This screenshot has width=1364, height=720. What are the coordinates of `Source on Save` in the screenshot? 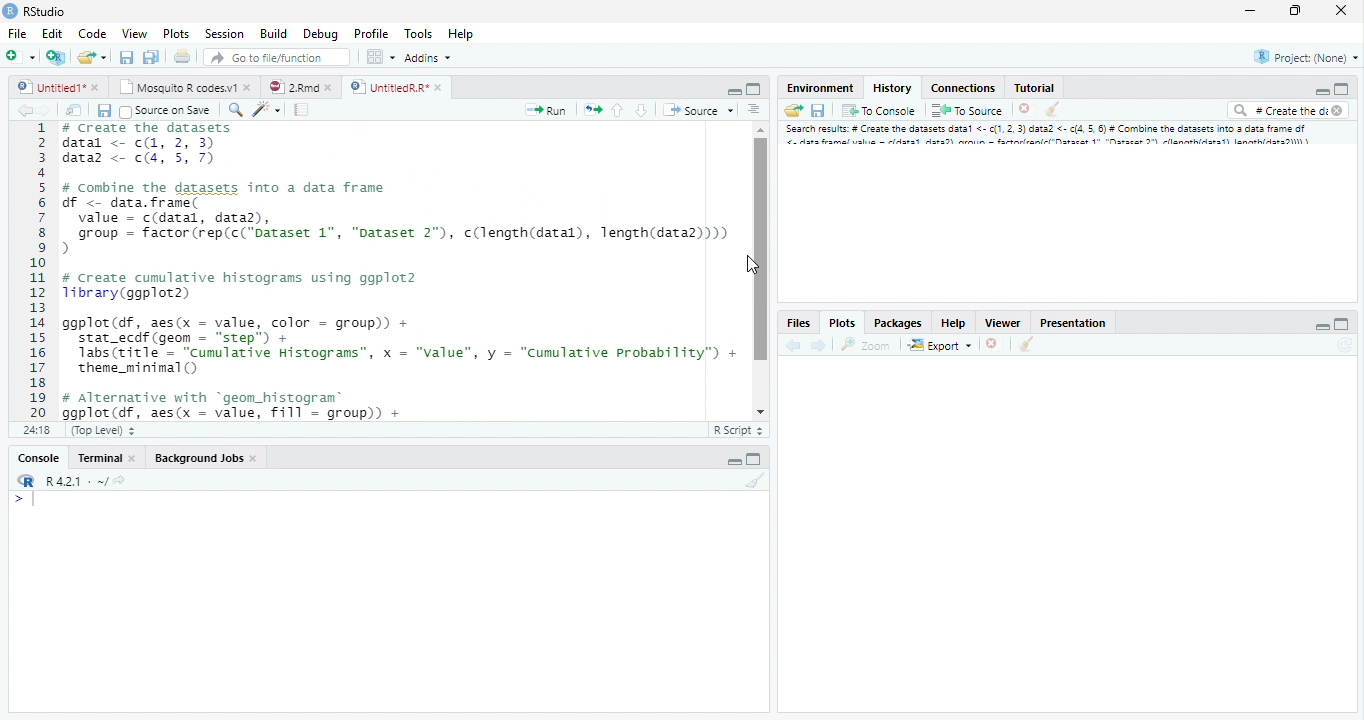 It's located at (165, 112).